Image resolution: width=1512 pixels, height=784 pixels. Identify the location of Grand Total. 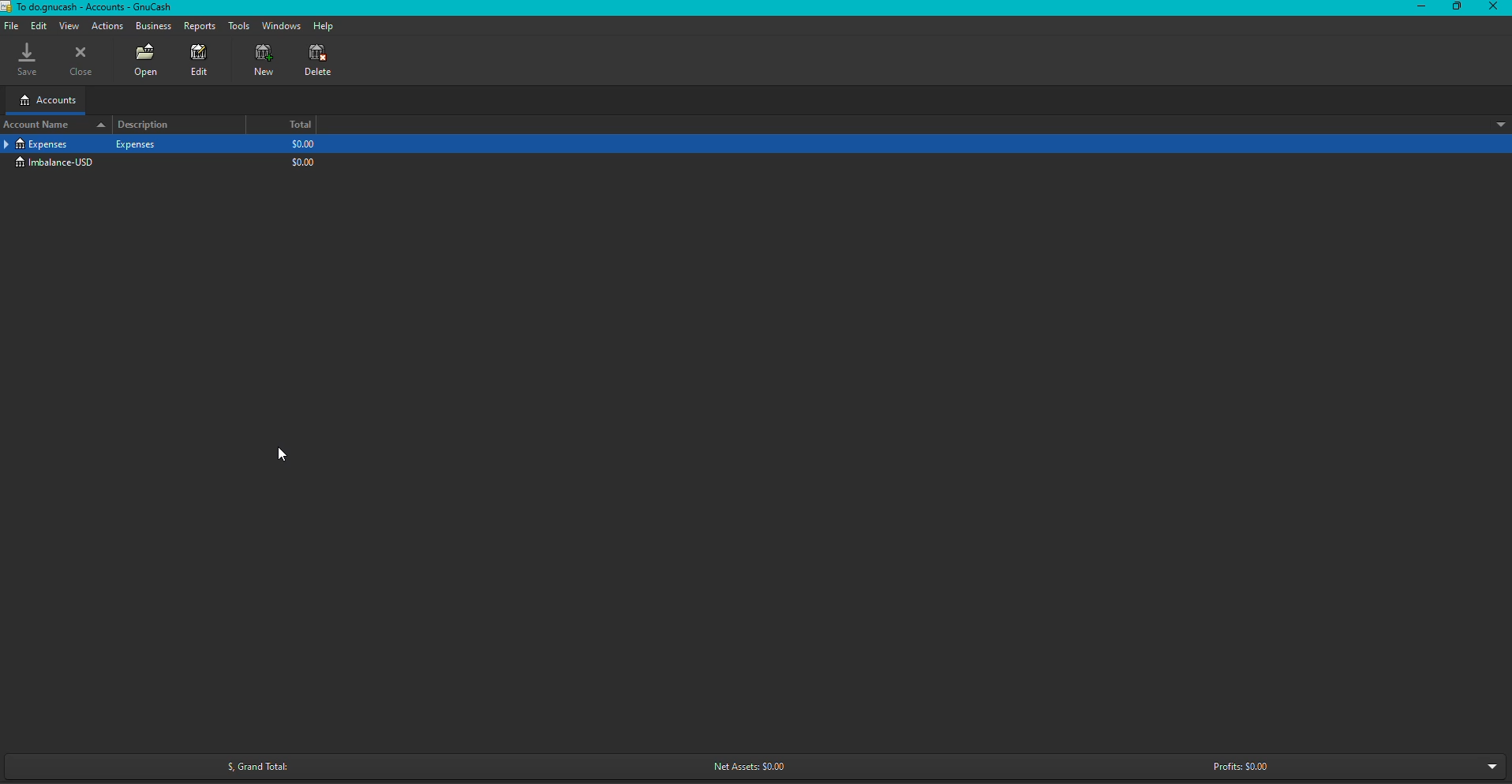
(252, 762).